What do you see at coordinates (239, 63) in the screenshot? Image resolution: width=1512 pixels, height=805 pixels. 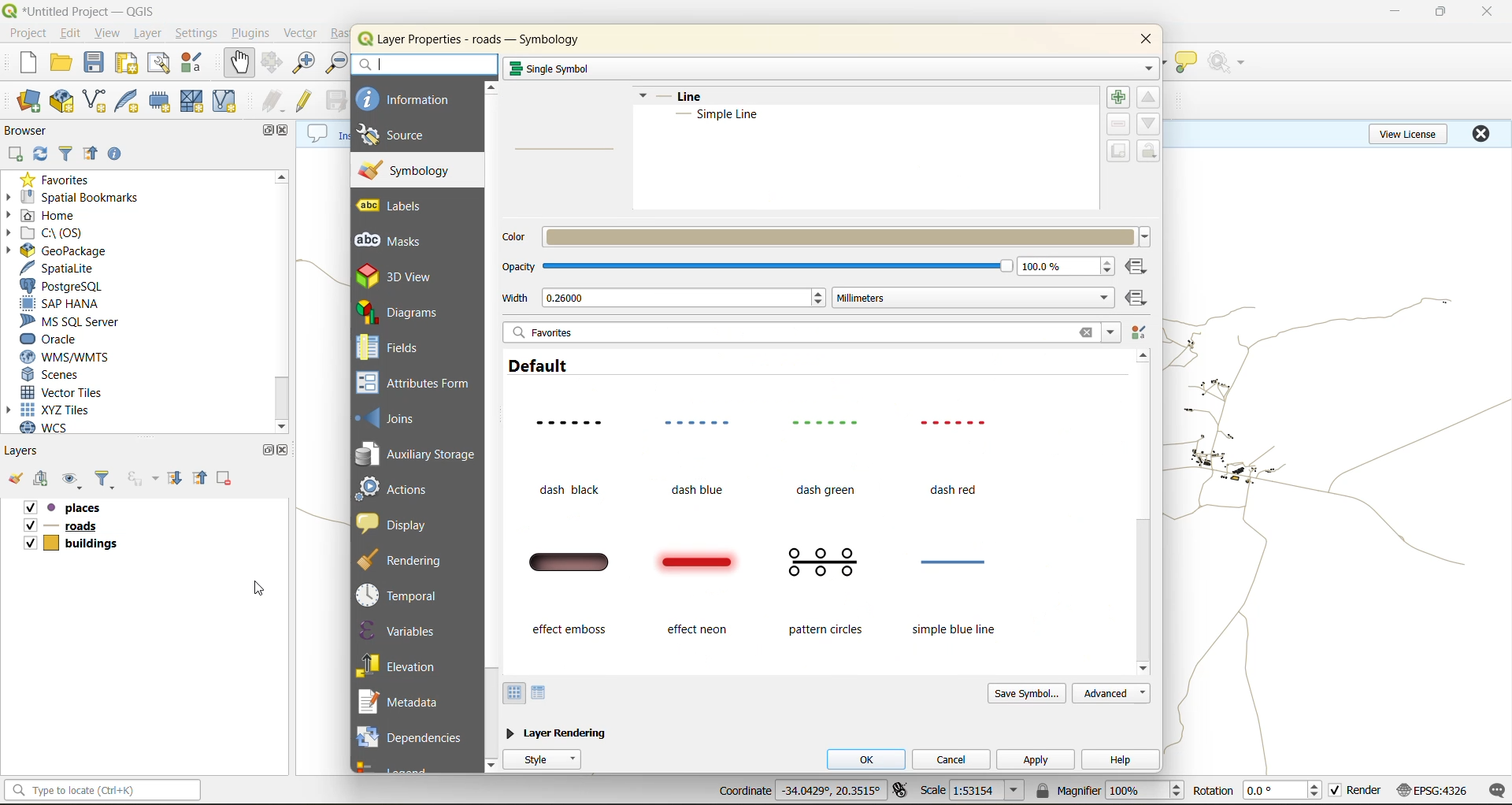 I see `pan map` at bounding box center [239, 63].